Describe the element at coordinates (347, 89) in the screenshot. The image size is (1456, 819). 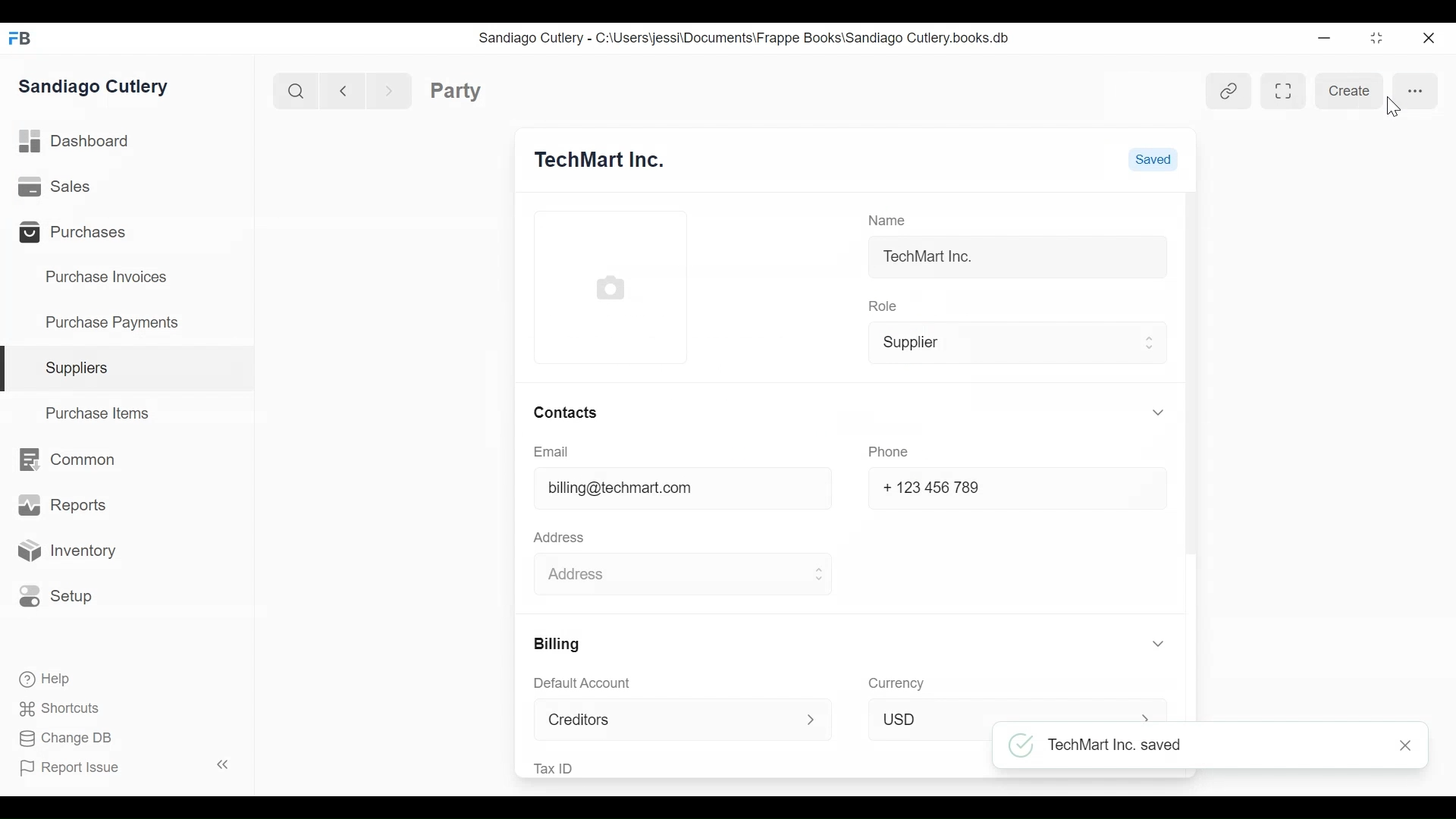
I see `back` at that location.